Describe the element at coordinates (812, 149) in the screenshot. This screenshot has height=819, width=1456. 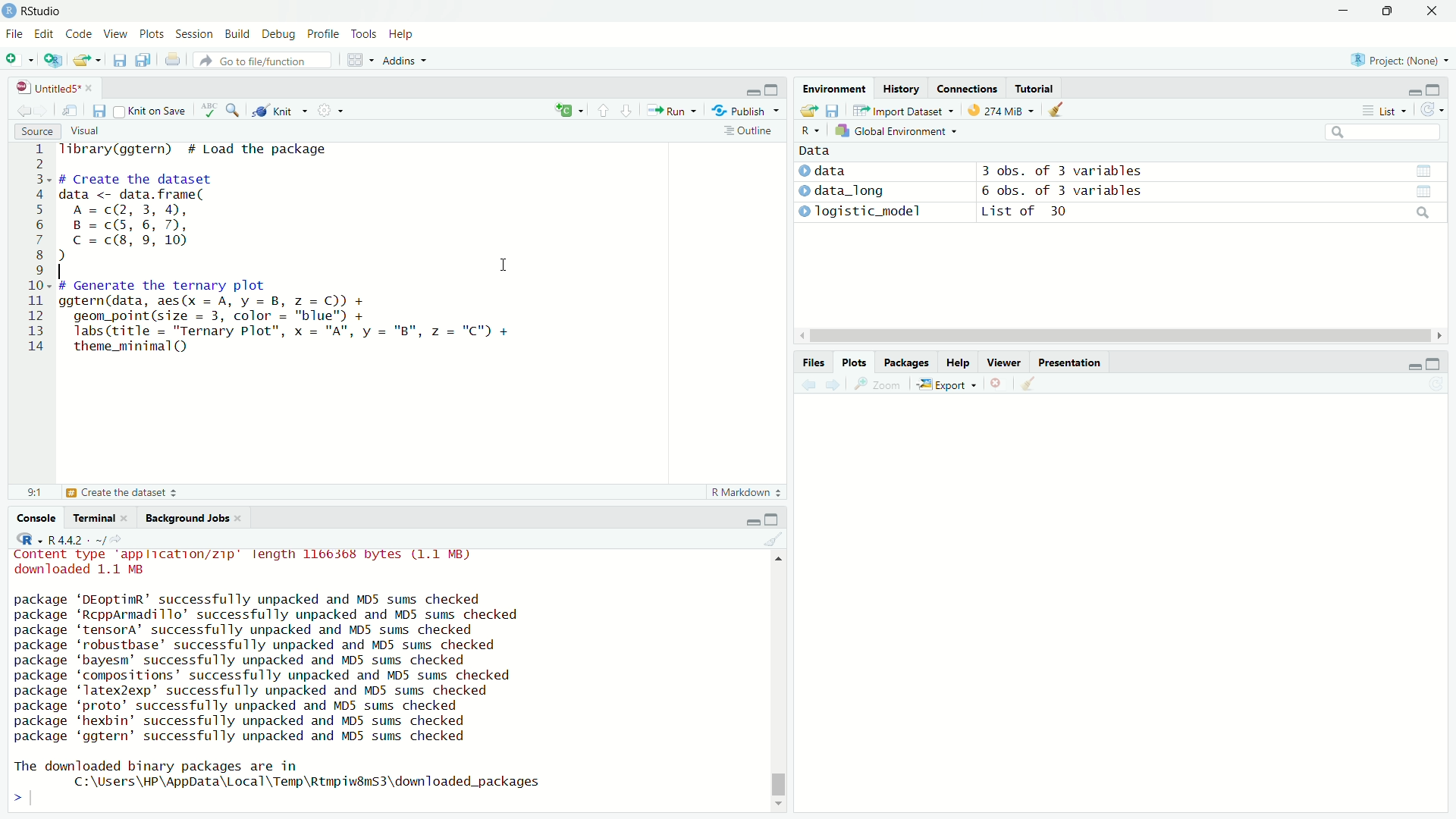
I see `Data` at that location.